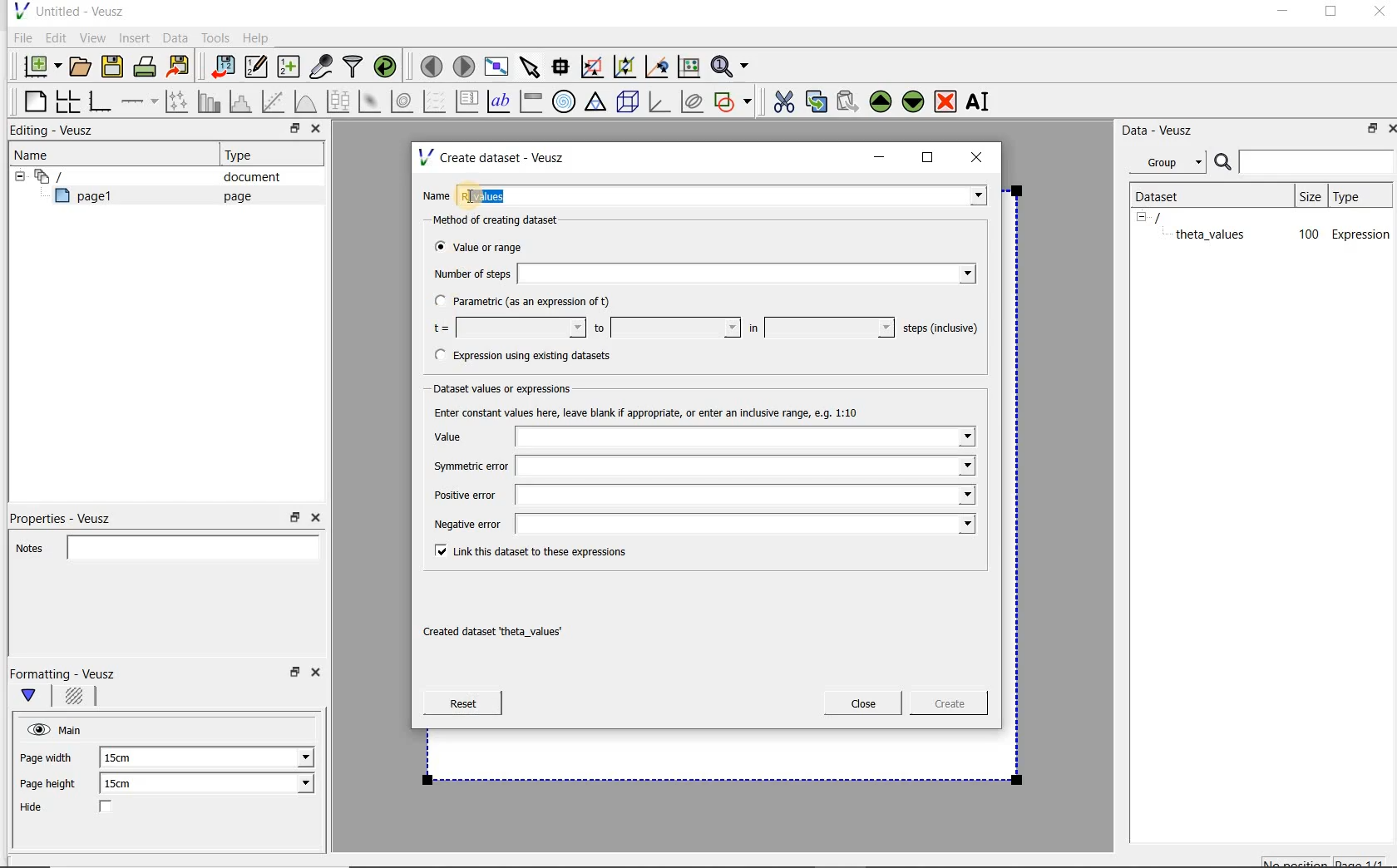 Image resolution: width=1397 pixels, height=868 pixels. Describe the element at coordinates (36, 729) in the screenshot. I see `visible (click to hide, set Hide to true)` at that location.